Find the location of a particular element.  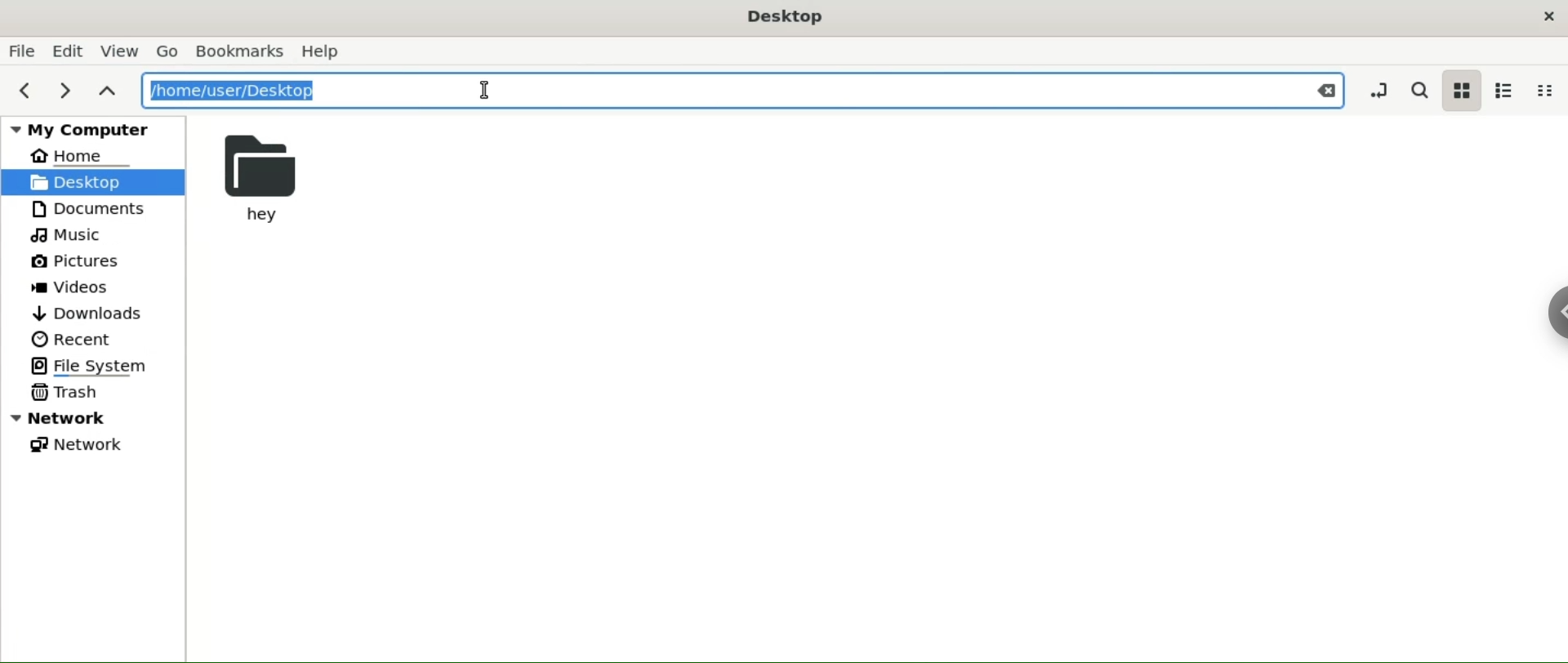

trash is located at coordinates (65, 394).